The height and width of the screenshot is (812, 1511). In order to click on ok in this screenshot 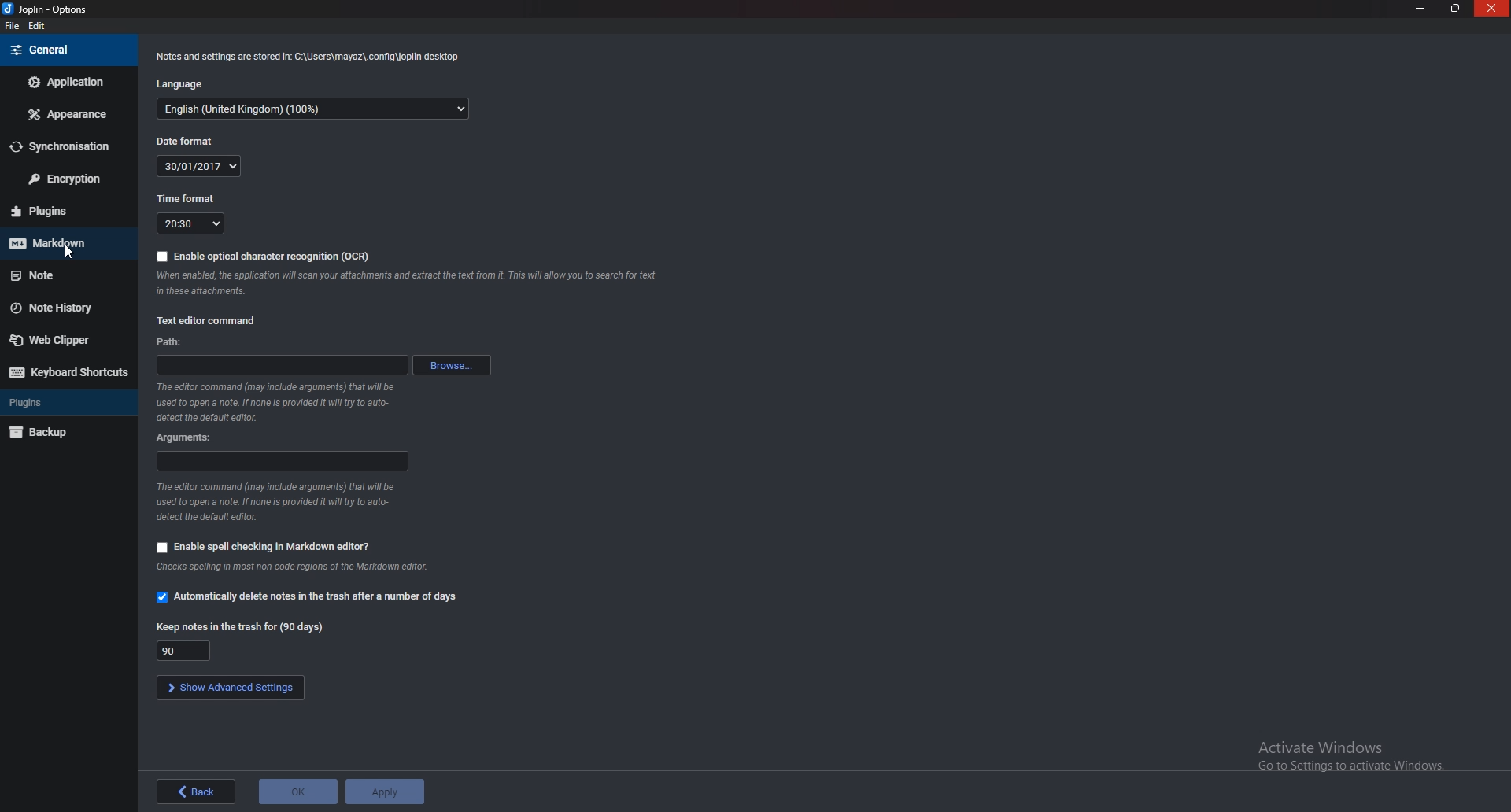, I will do `click(297, 792)`.